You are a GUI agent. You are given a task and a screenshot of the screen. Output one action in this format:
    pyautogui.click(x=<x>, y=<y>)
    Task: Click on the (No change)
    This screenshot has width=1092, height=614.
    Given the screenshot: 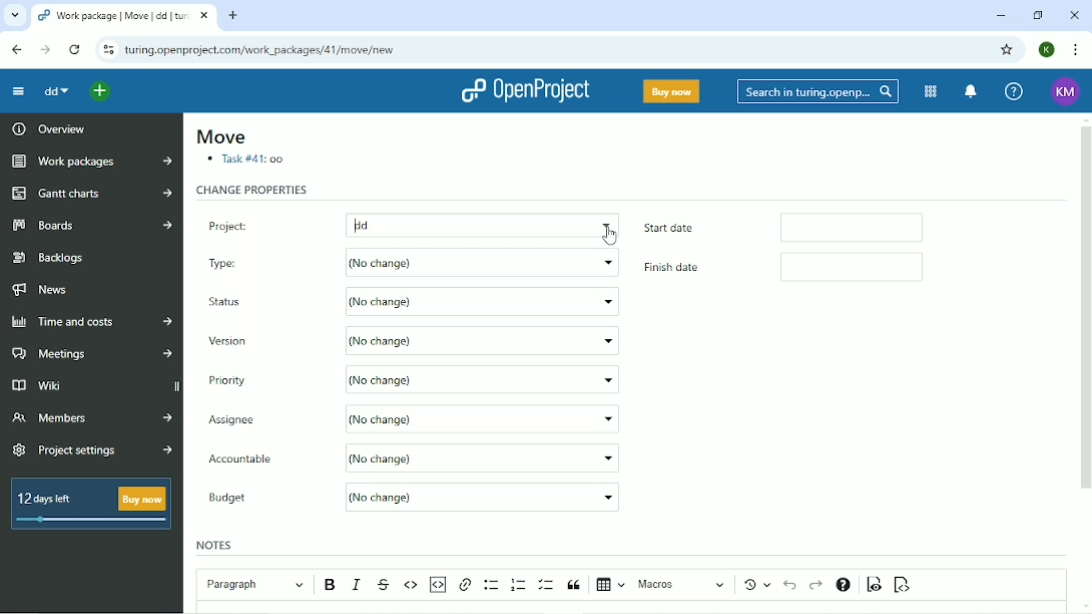 What is the action you would take?
    pyautogui.click(x=483, y=341)
    